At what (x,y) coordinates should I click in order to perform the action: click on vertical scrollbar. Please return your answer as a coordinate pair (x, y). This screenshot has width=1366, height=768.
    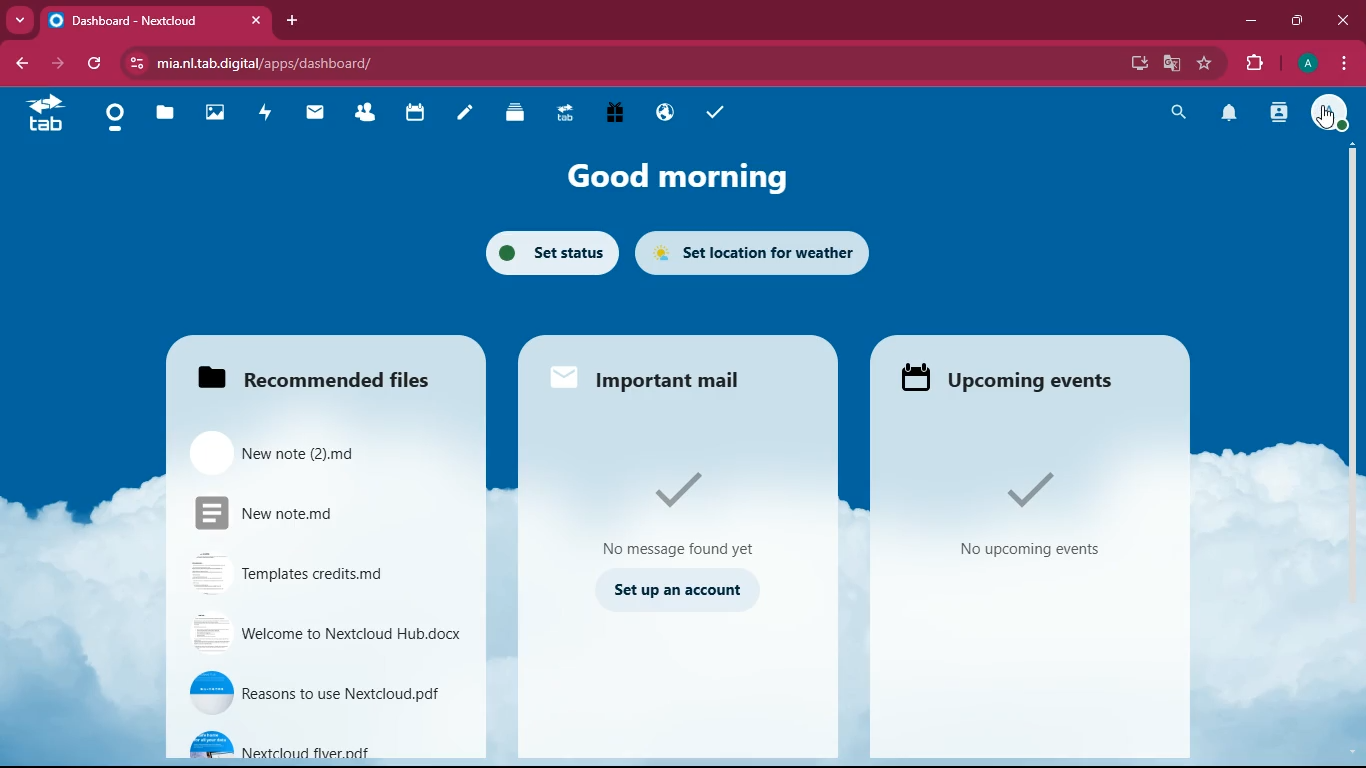
    Looking at the image, I should click on (1351, 320).